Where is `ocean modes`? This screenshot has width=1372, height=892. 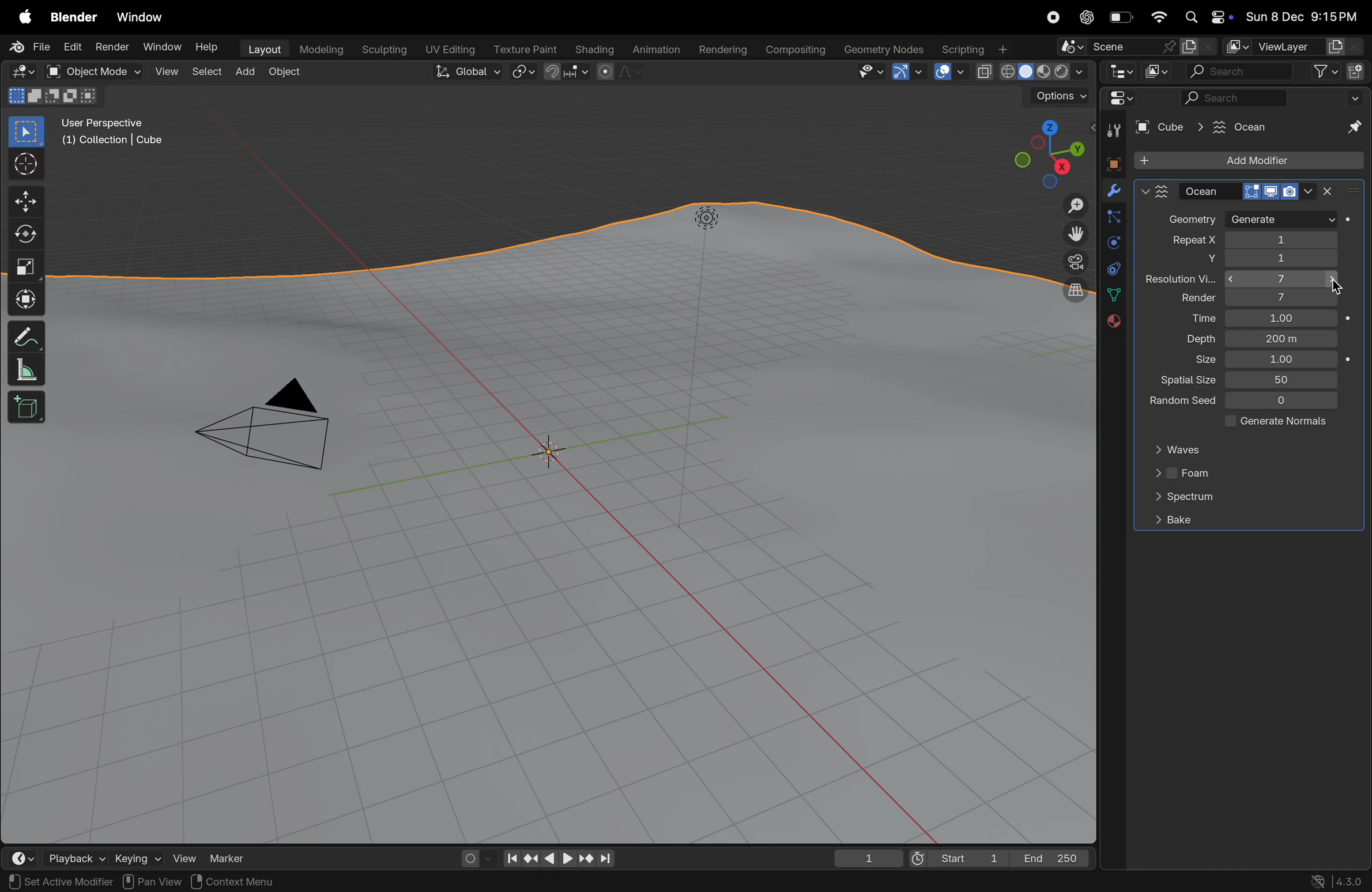
ocean modes is located at coordinates (1250, 191).